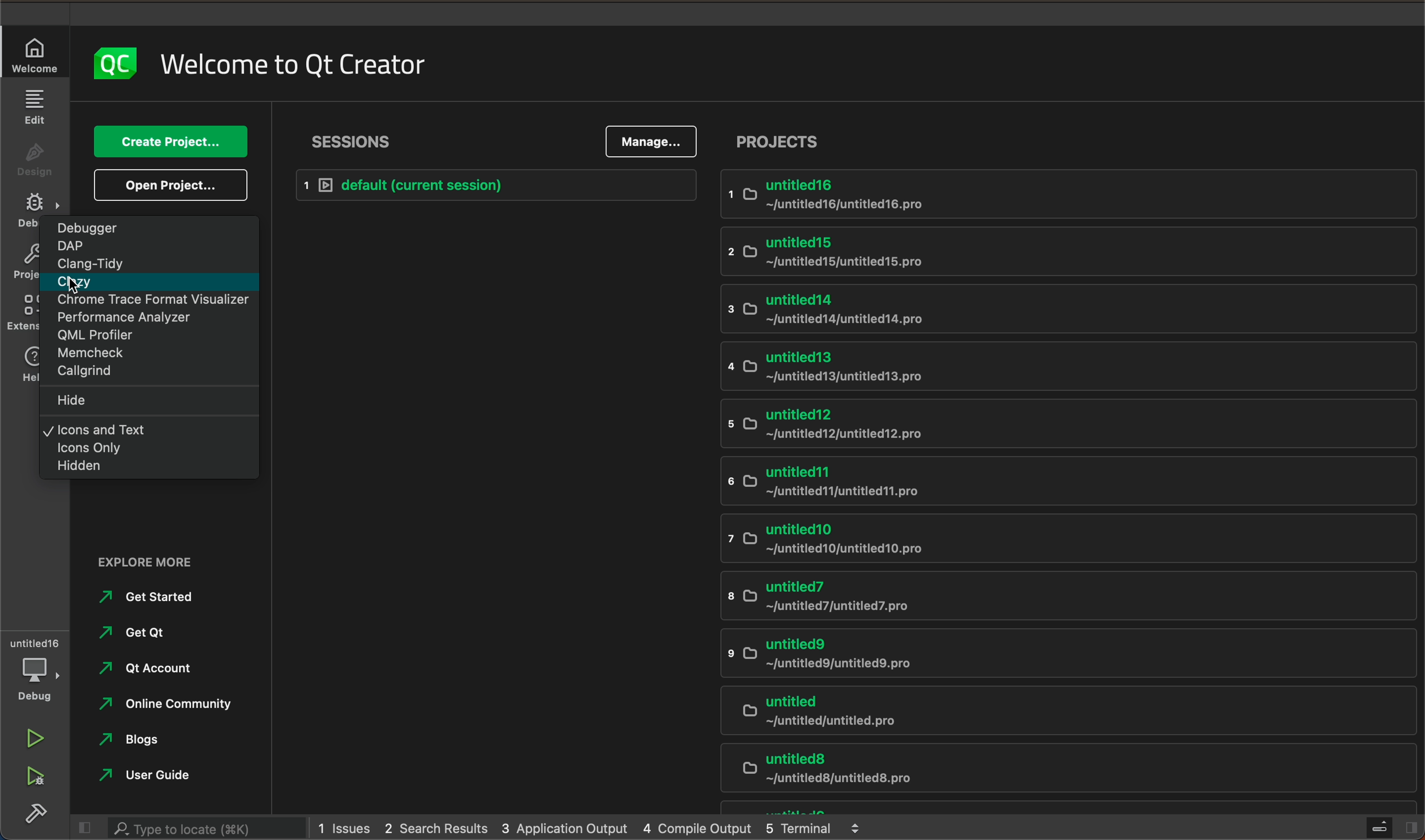  What do you see at coordinates (593, 829) in the screenshot?
I see `logs` at bounding box center [593, 829].